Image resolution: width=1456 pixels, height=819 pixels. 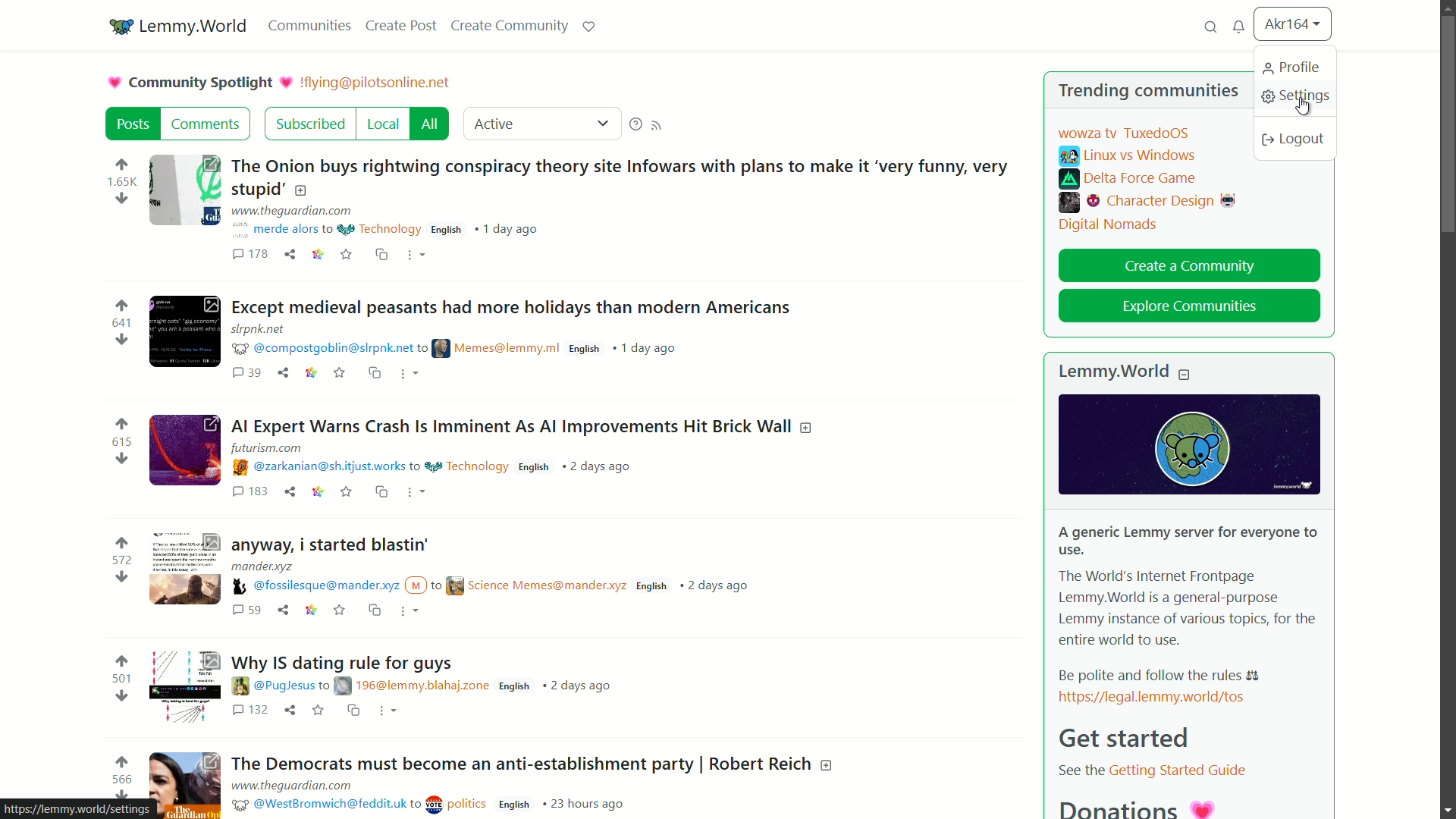 What do you see at coordinates (1240, 27) in the screenshot?
I see `unread messages` at bounding box center [1240, 27].